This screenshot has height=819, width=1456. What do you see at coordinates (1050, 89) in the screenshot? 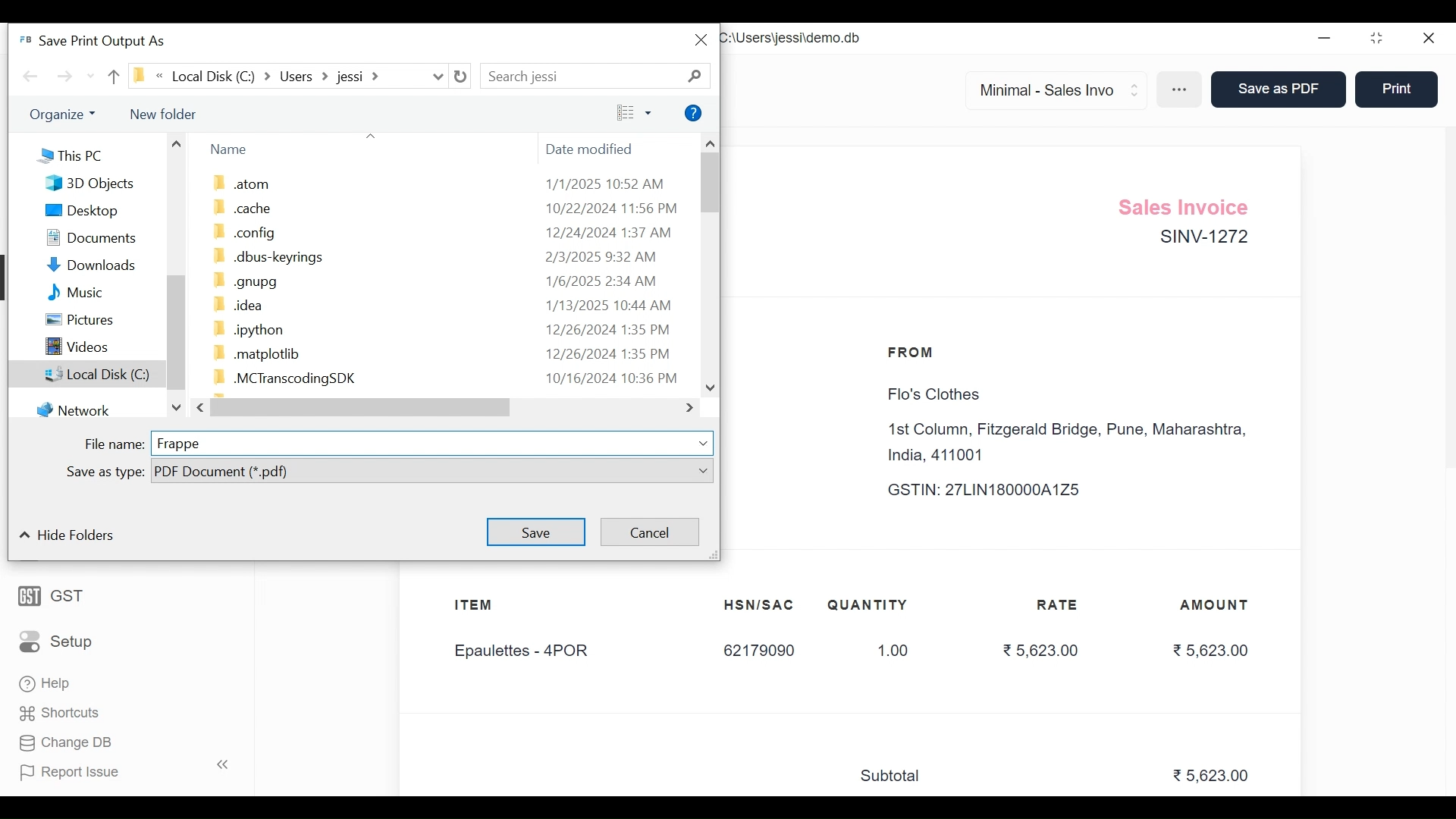
I see `Minimal - Sales Invo` at bounding box center [1050, 89].